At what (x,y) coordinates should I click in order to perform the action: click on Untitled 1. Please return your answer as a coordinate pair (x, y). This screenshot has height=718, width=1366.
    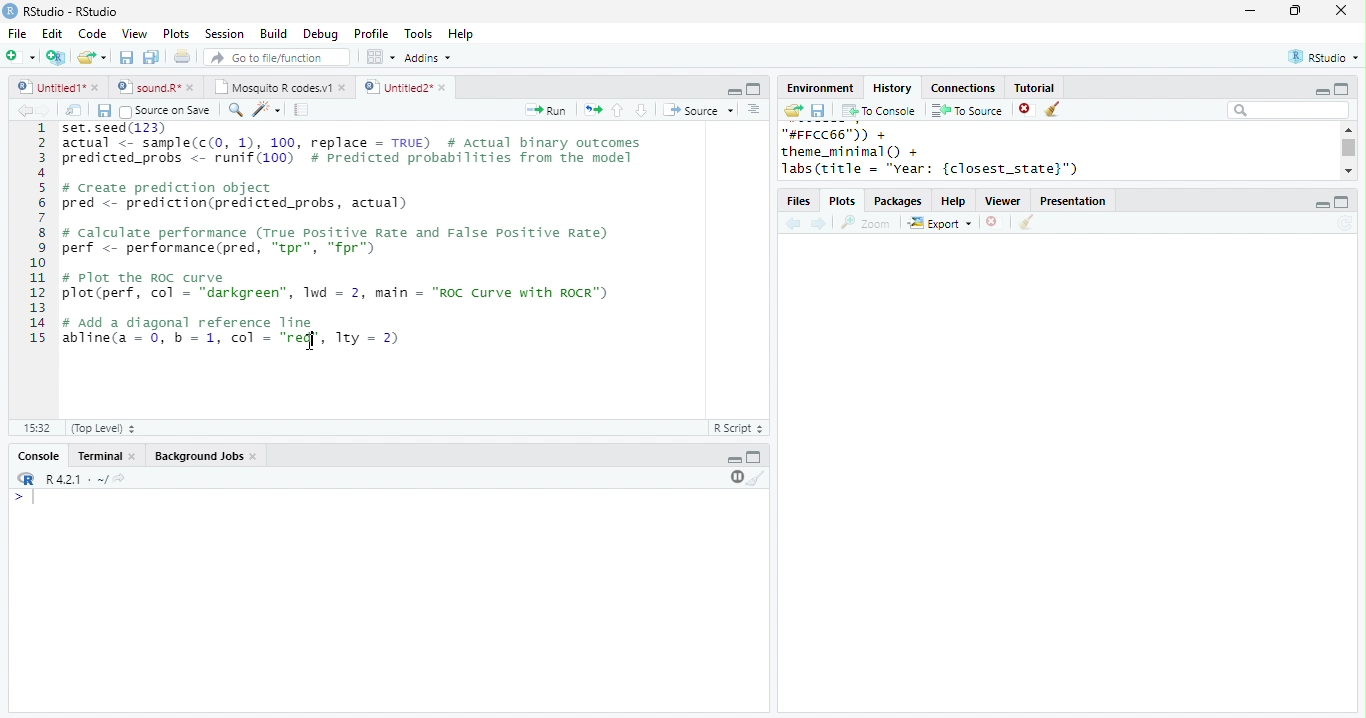
    Looking at the image, I should click on (48, 86).